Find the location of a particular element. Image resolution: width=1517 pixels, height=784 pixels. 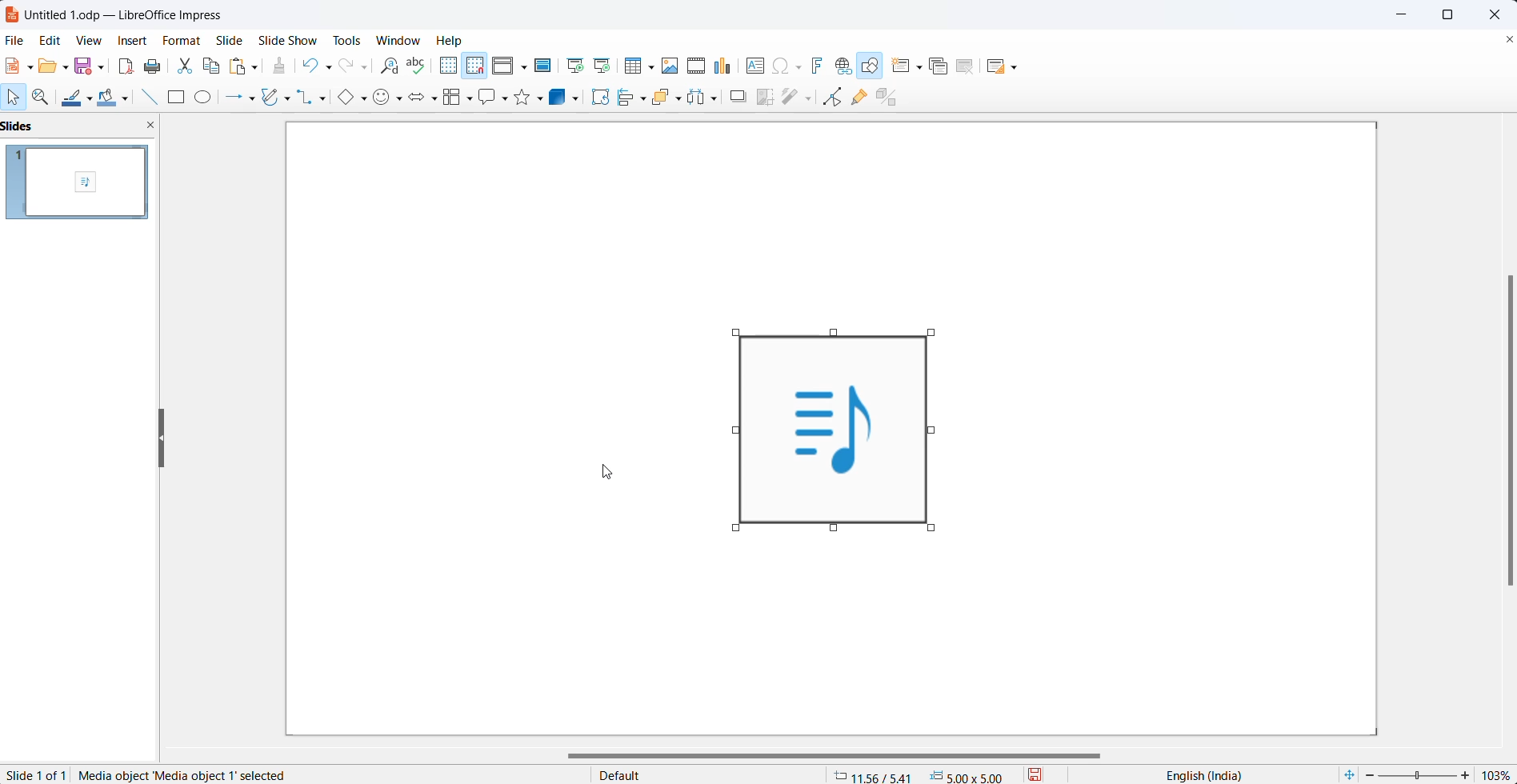

slideshow is located at coordinates (287, 40).